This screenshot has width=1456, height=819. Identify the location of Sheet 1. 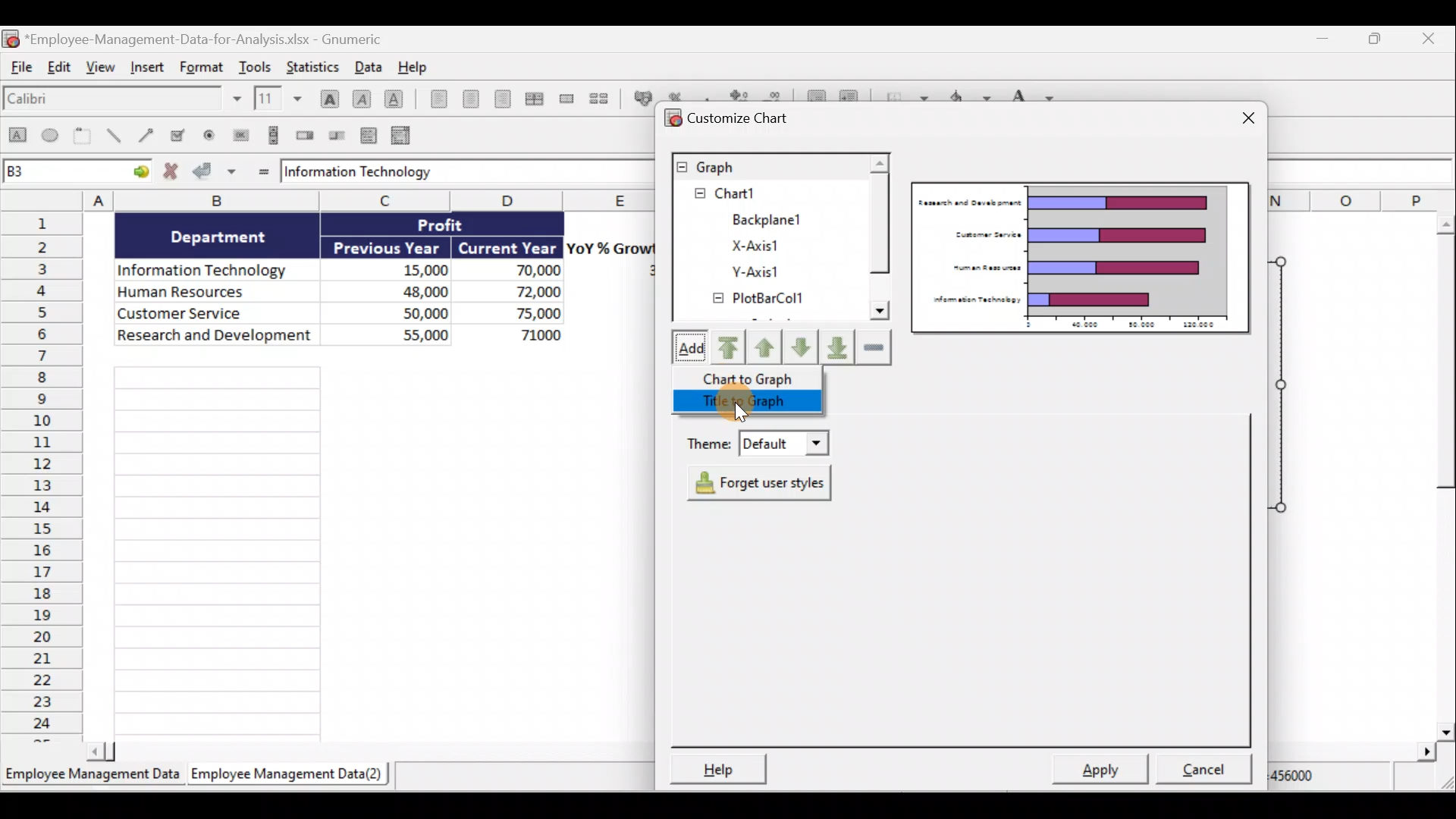
(93, 777).